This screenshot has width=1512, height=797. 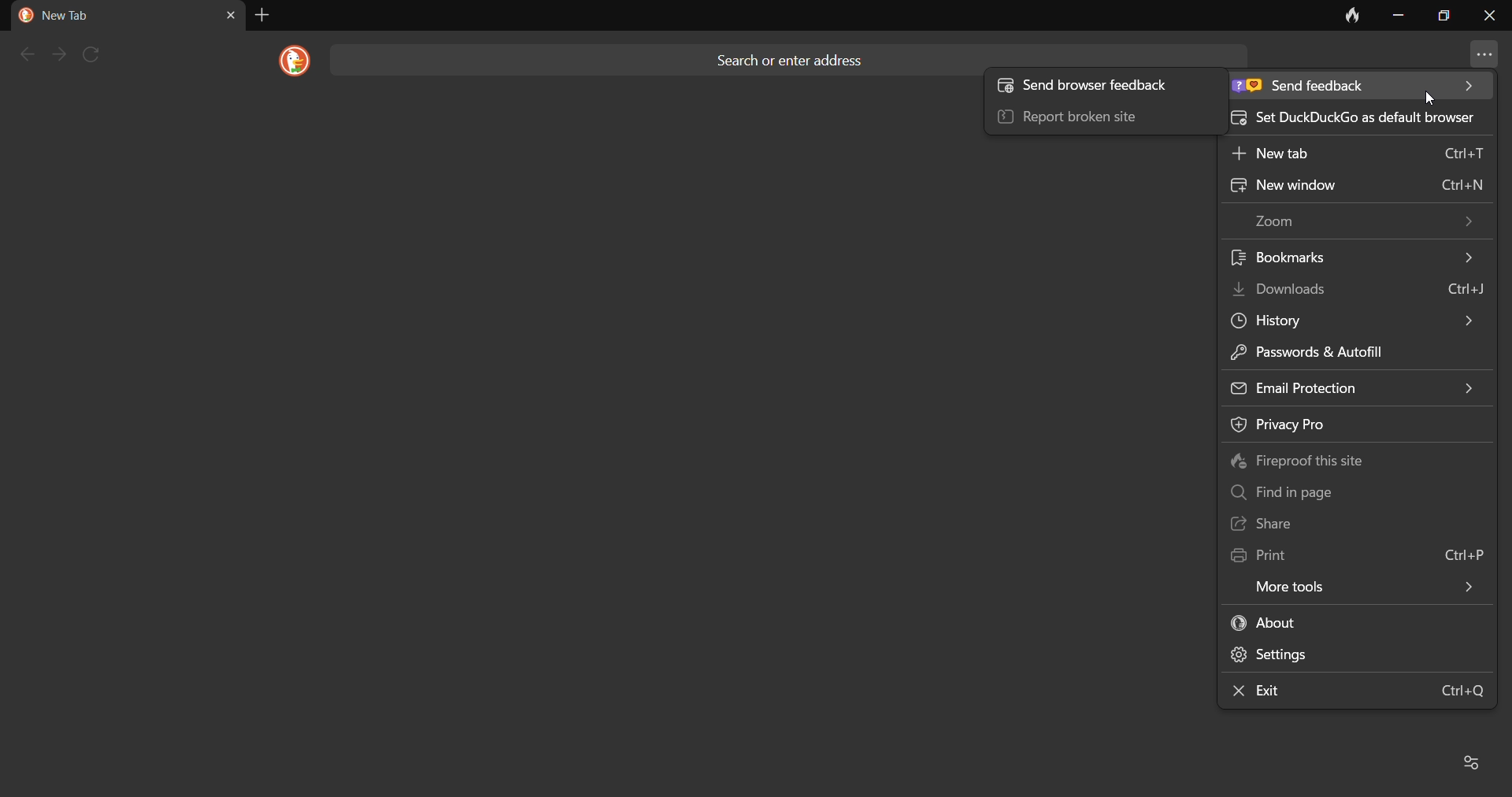 I want to click on search or enter address, so click(x=795, y=50).